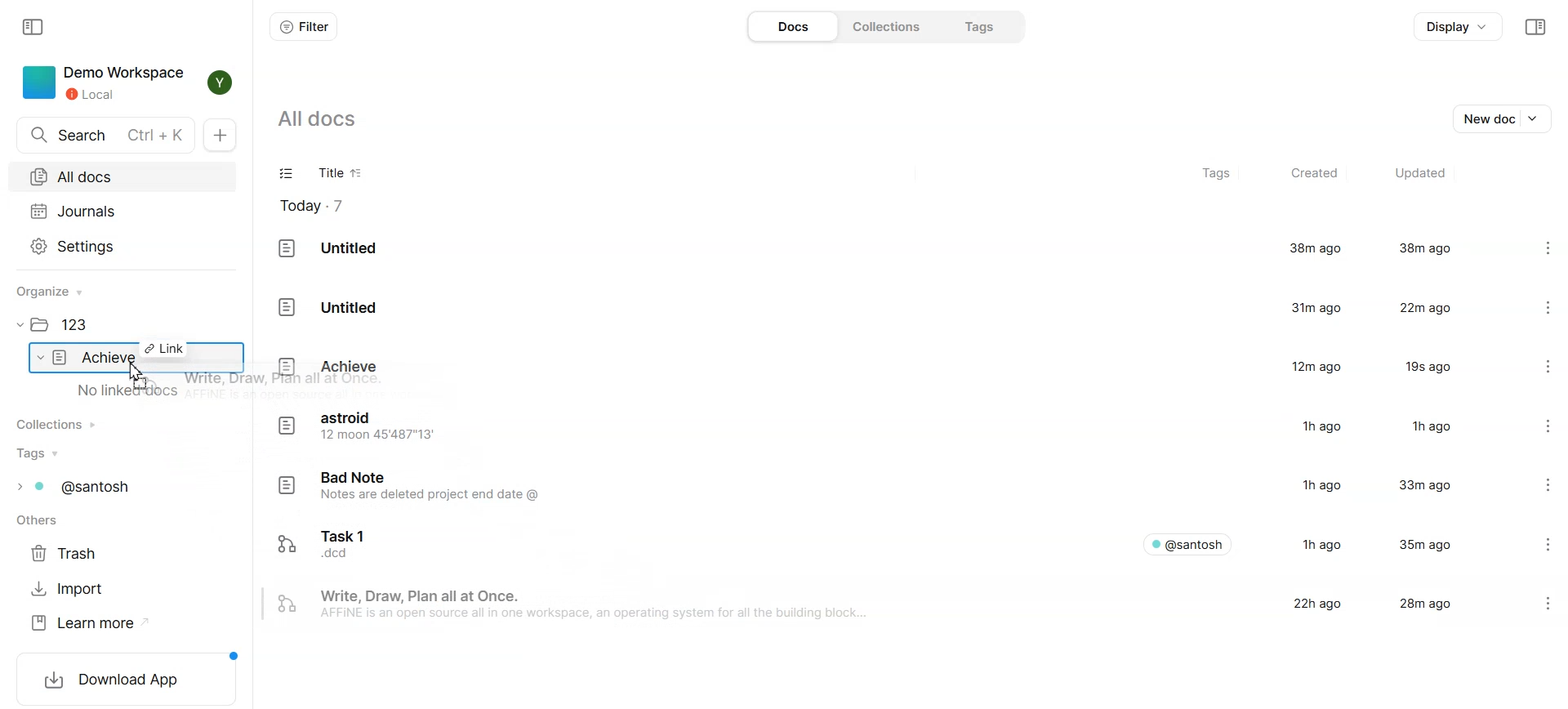 Image resolution: width=1568 pixels, height=709 pixels. I want to click on Updated, so click(1419, 174).